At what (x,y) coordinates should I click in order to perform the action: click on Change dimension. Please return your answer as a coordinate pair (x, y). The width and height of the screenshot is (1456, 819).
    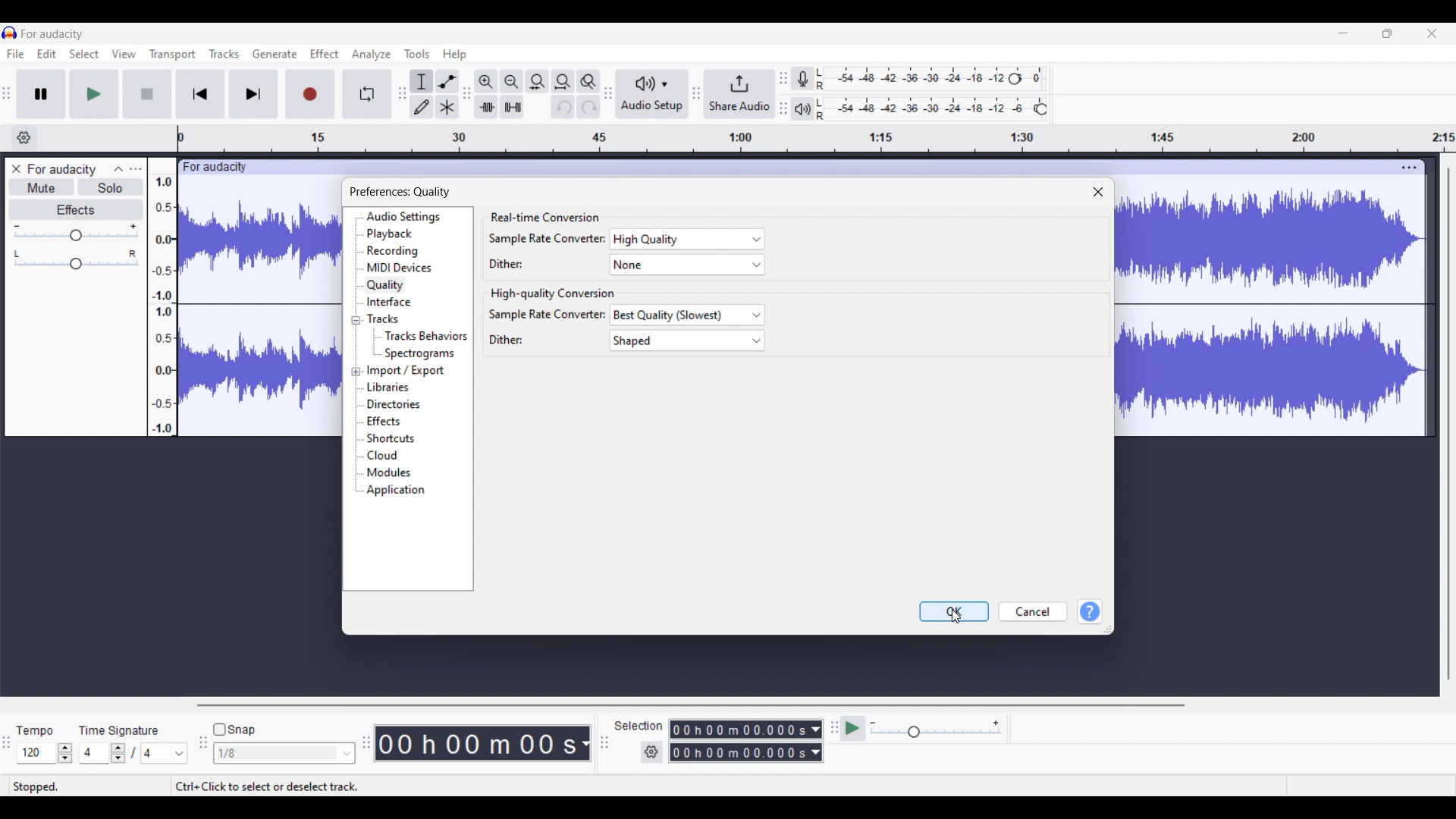
    Looking at the image, I should click on (1107, 629).